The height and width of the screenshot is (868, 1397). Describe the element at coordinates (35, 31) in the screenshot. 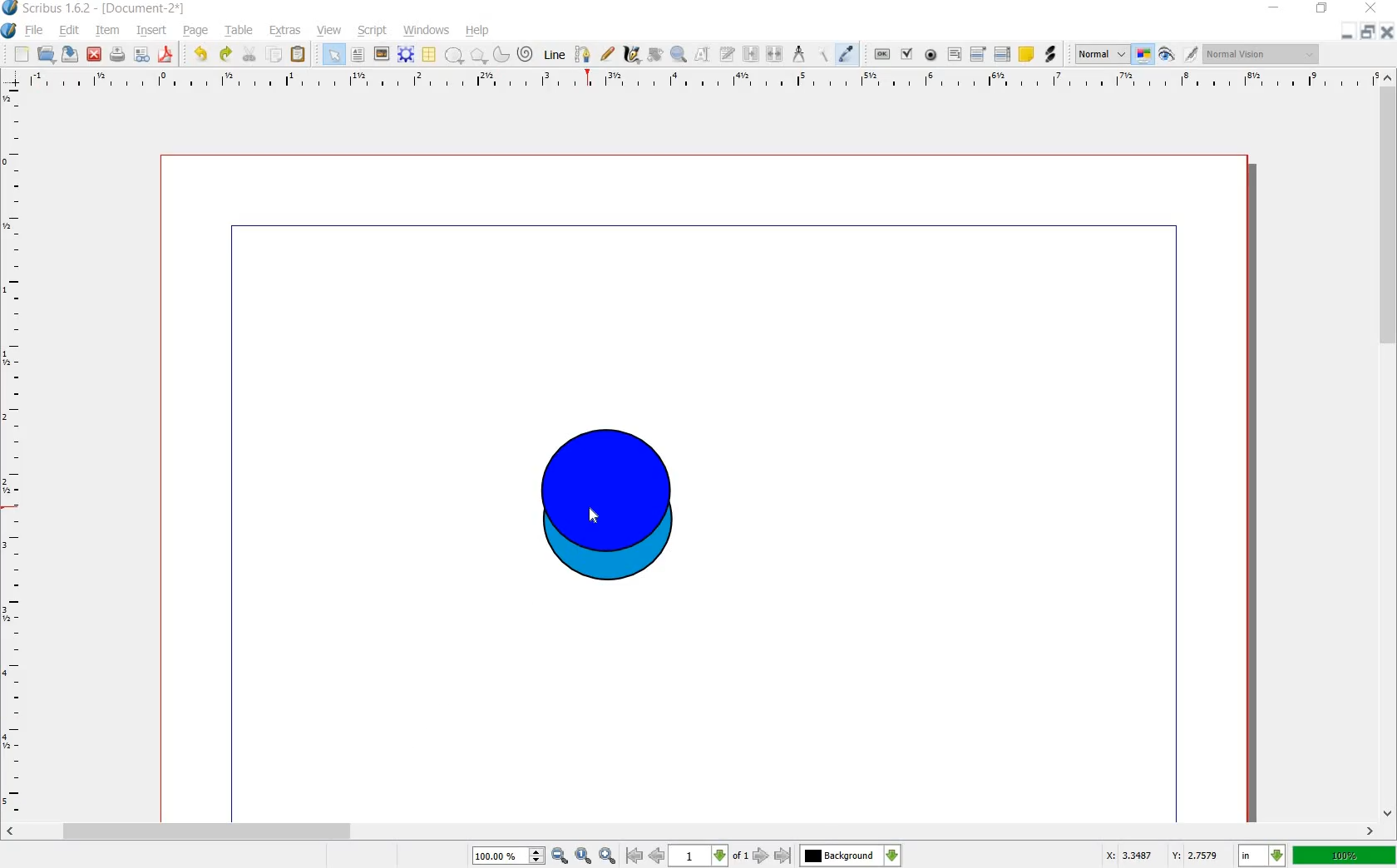

I see `file` at that location.